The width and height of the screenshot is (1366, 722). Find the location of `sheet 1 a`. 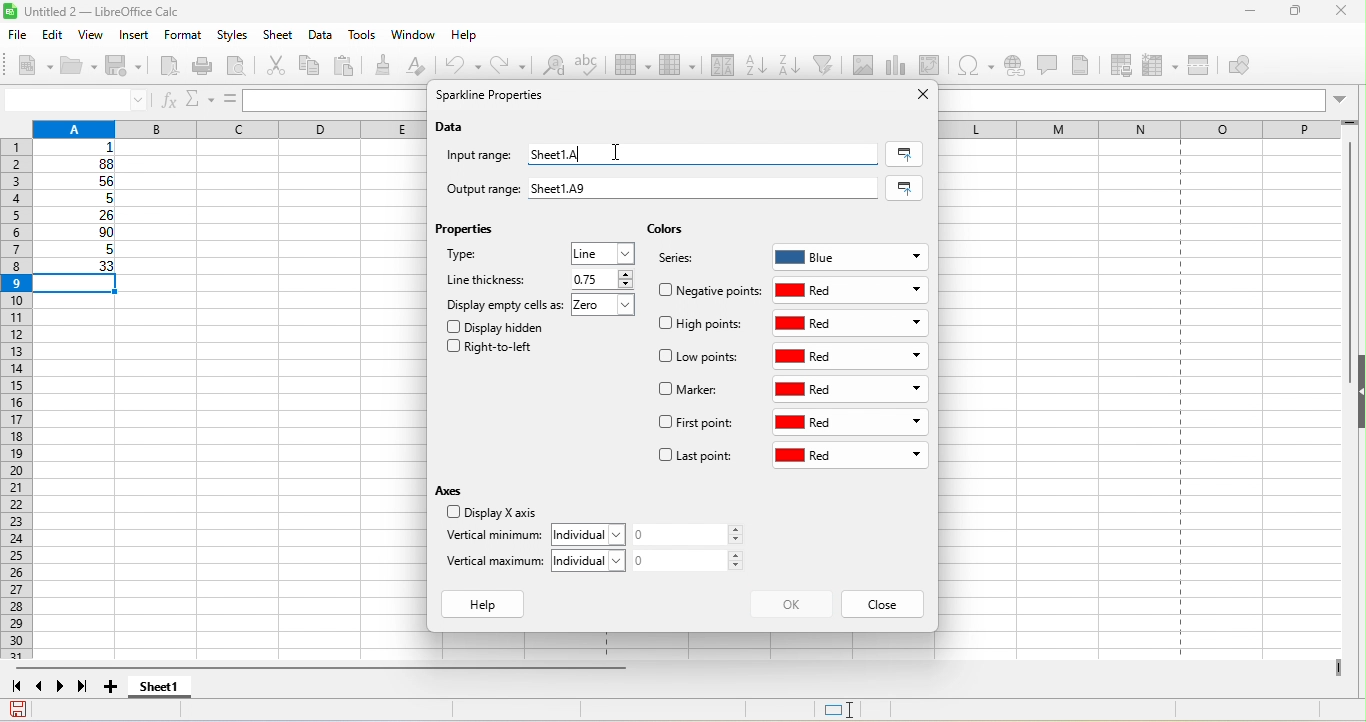

sheet 1 a is located at coordinates (705, 153).